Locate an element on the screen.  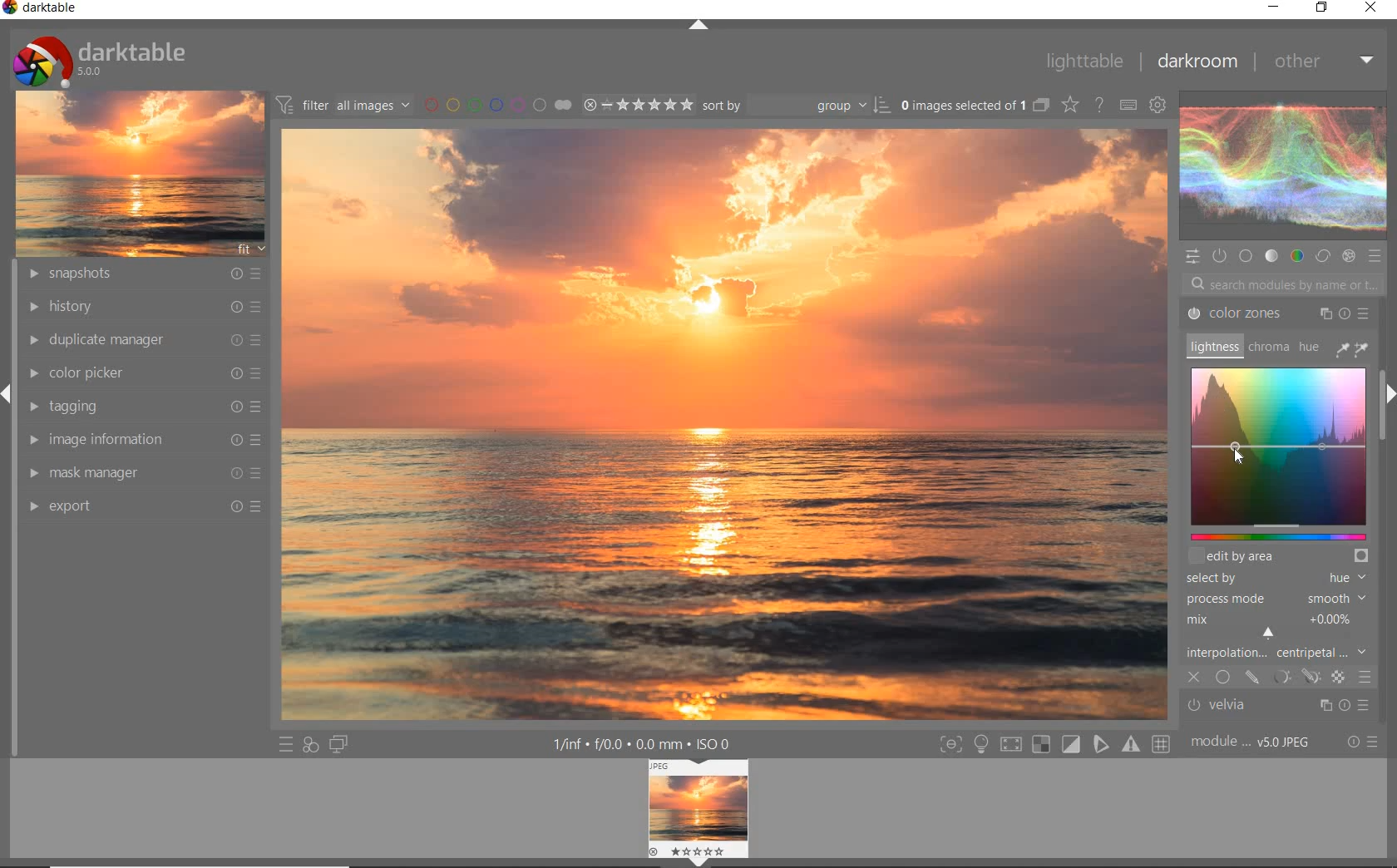
HUE is located at coordinates (1310, 350).